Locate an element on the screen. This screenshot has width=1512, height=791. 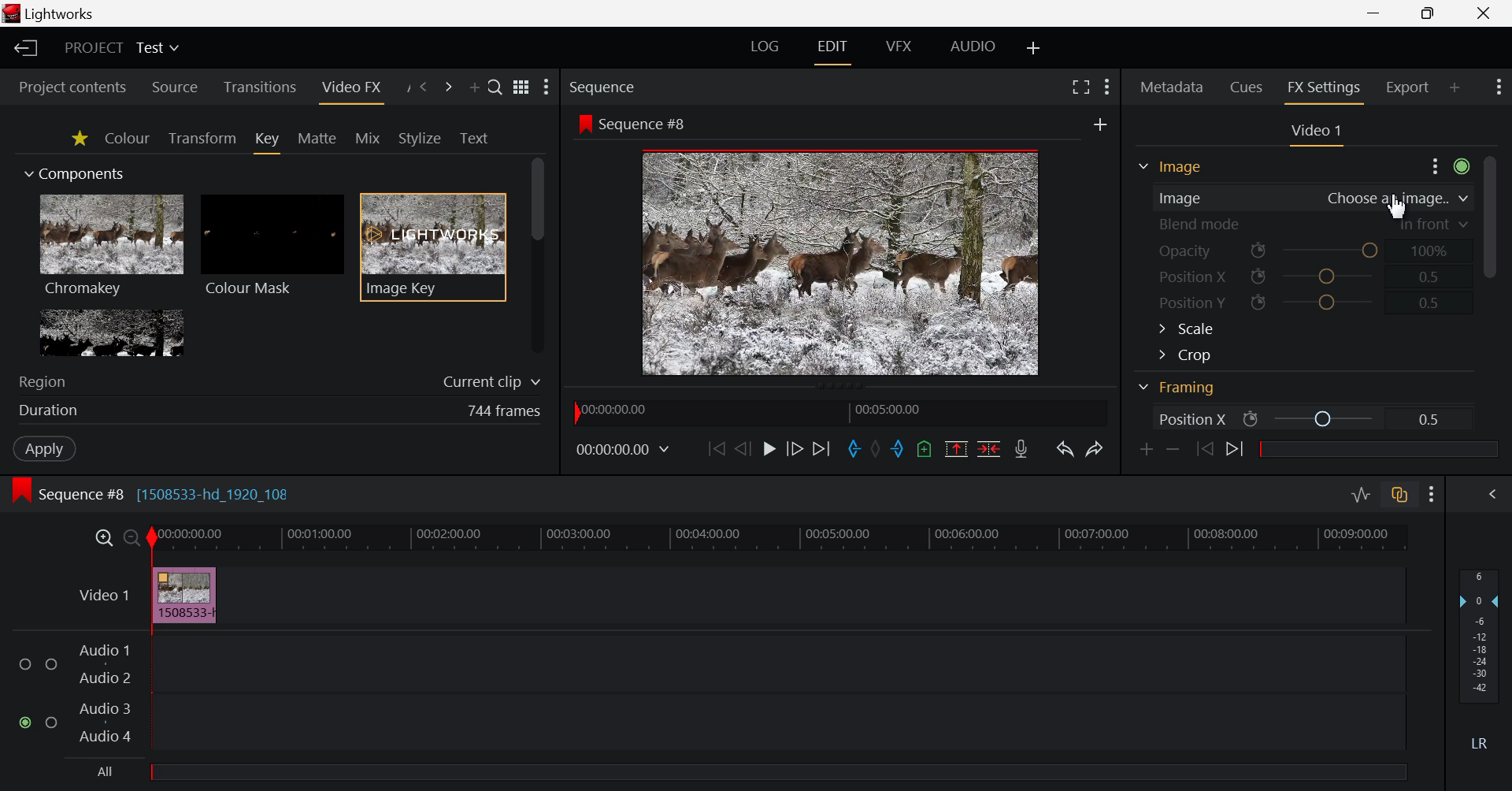
Show Settings is located at coordinates (1498, 87).